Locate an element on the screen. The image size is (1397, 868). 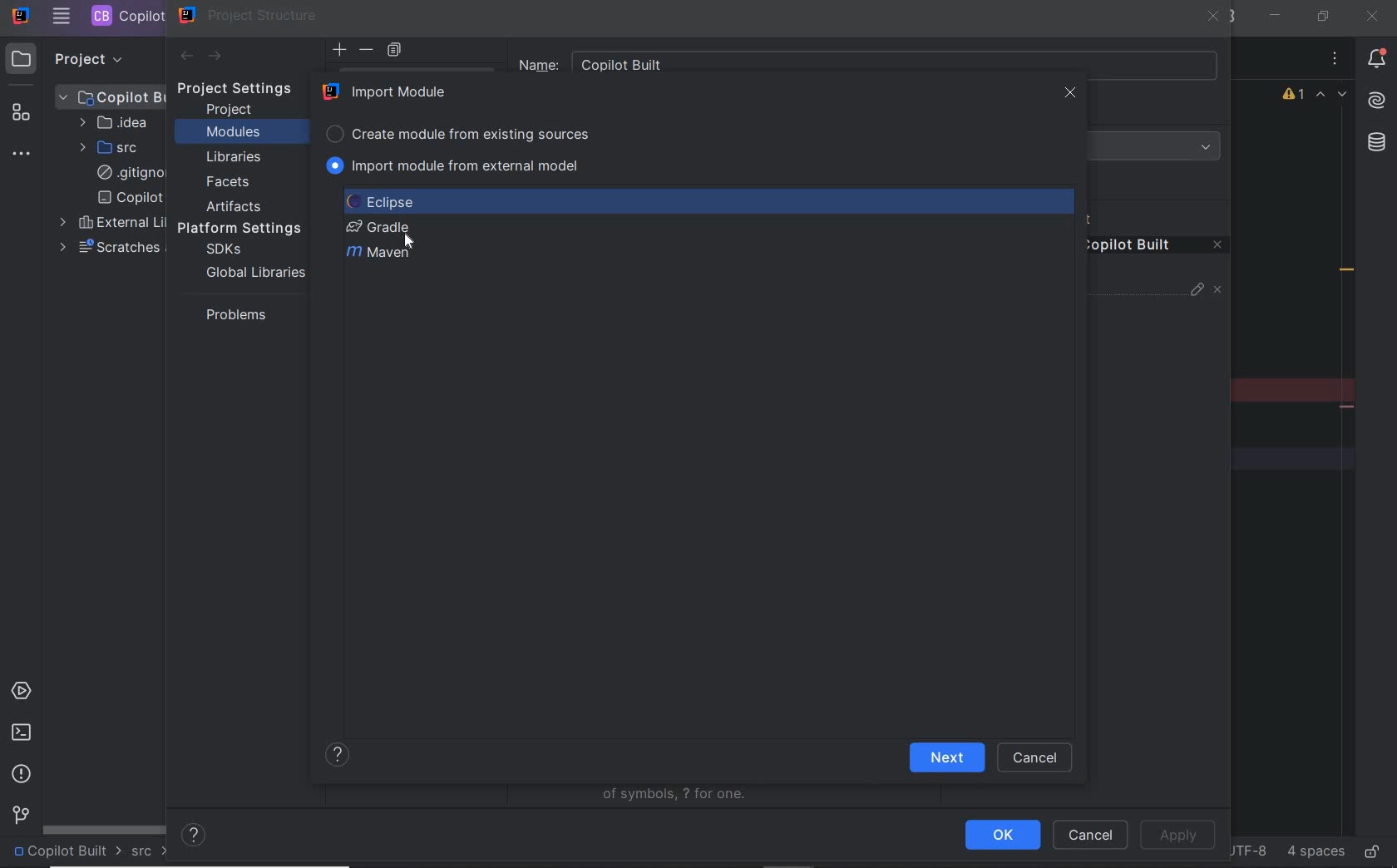
AI Assistant is located at coordinates (1375, 101).